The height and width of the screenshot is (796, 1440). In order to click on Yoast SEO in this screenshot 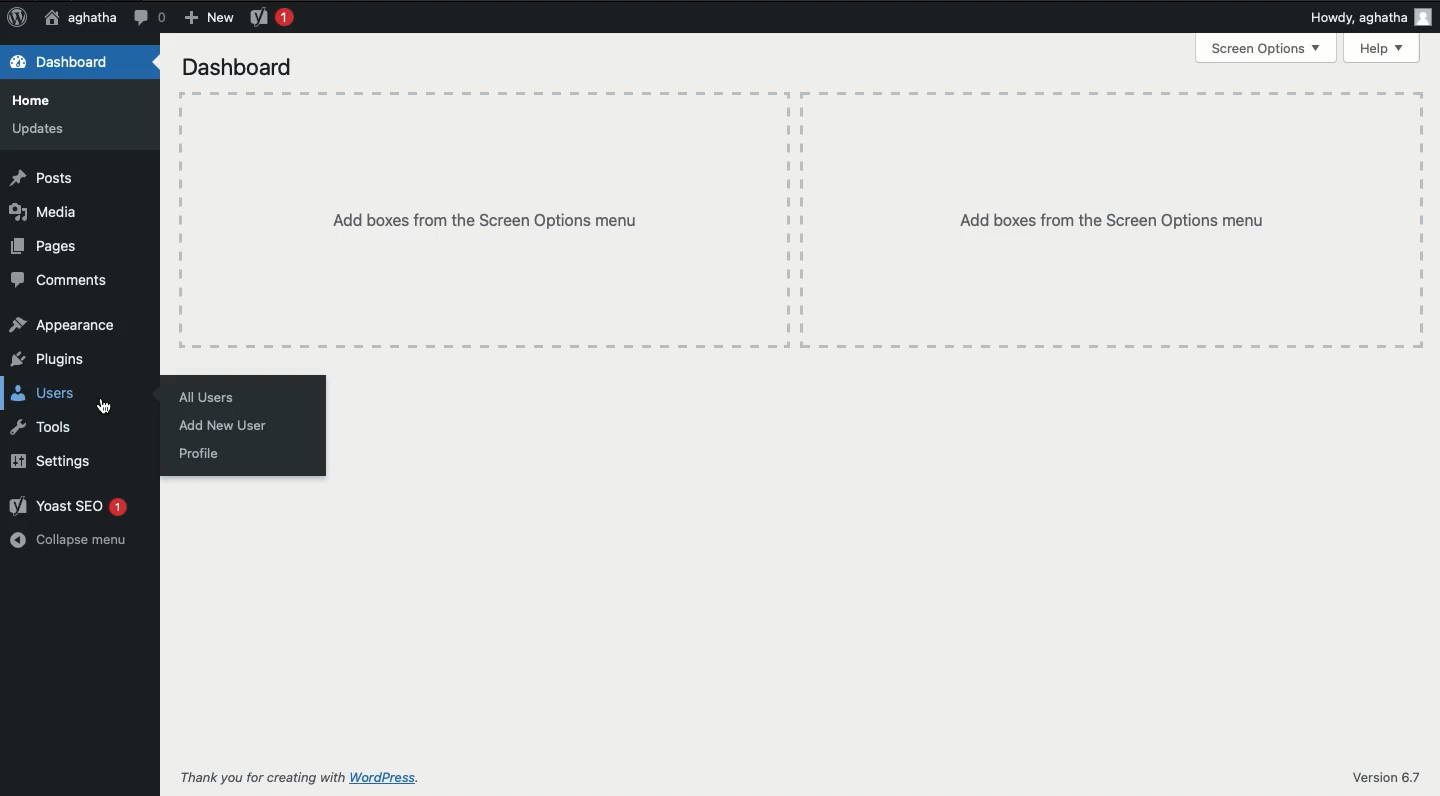, I will do `click(69, 508)`.